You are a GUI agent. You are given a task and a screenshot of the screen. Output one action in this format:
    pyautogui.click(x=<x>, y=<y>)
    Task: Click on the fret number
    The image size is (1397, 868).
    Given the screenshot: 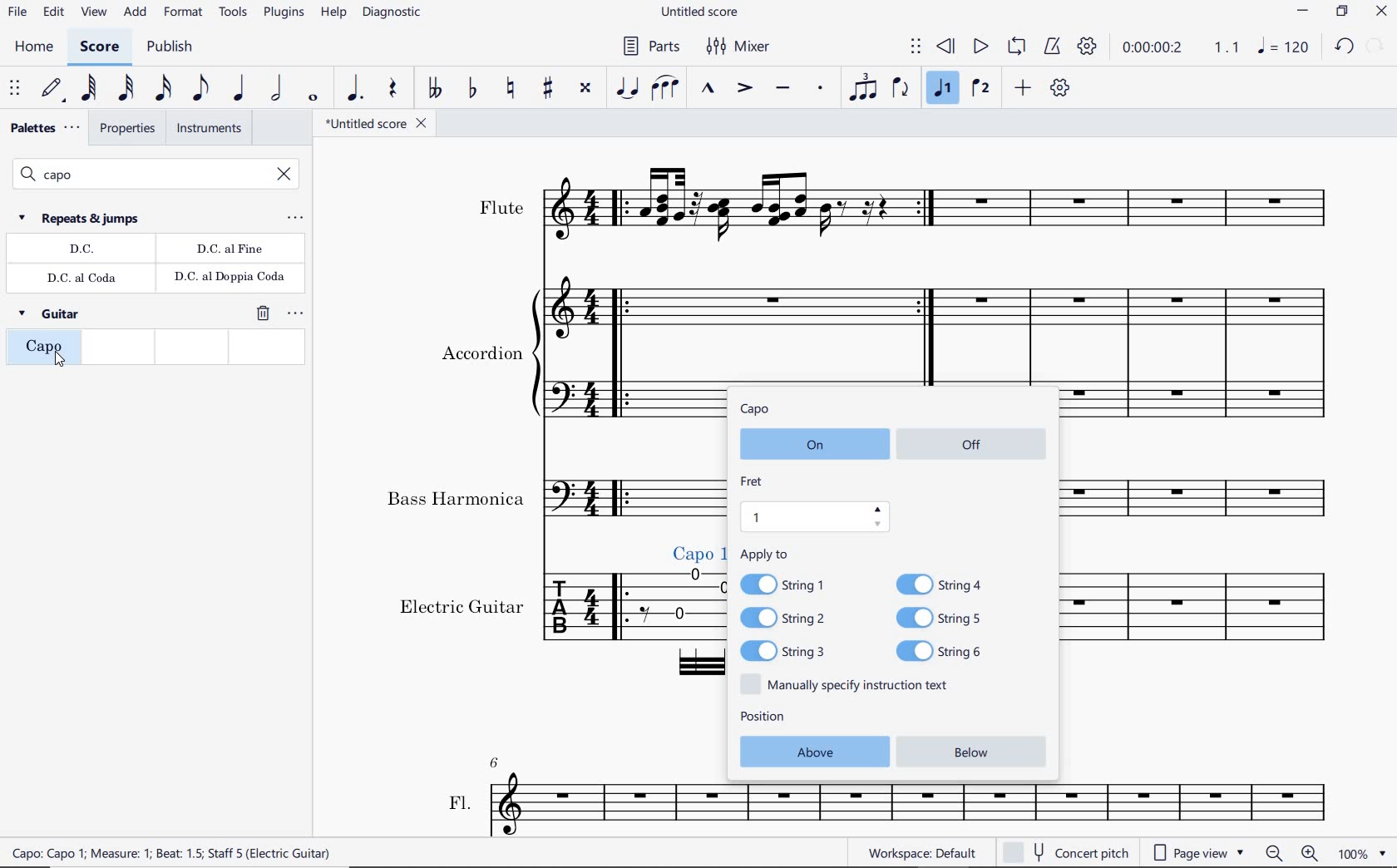 What is the action you would take?
    pyautogui.click(x=815, y=516)
    